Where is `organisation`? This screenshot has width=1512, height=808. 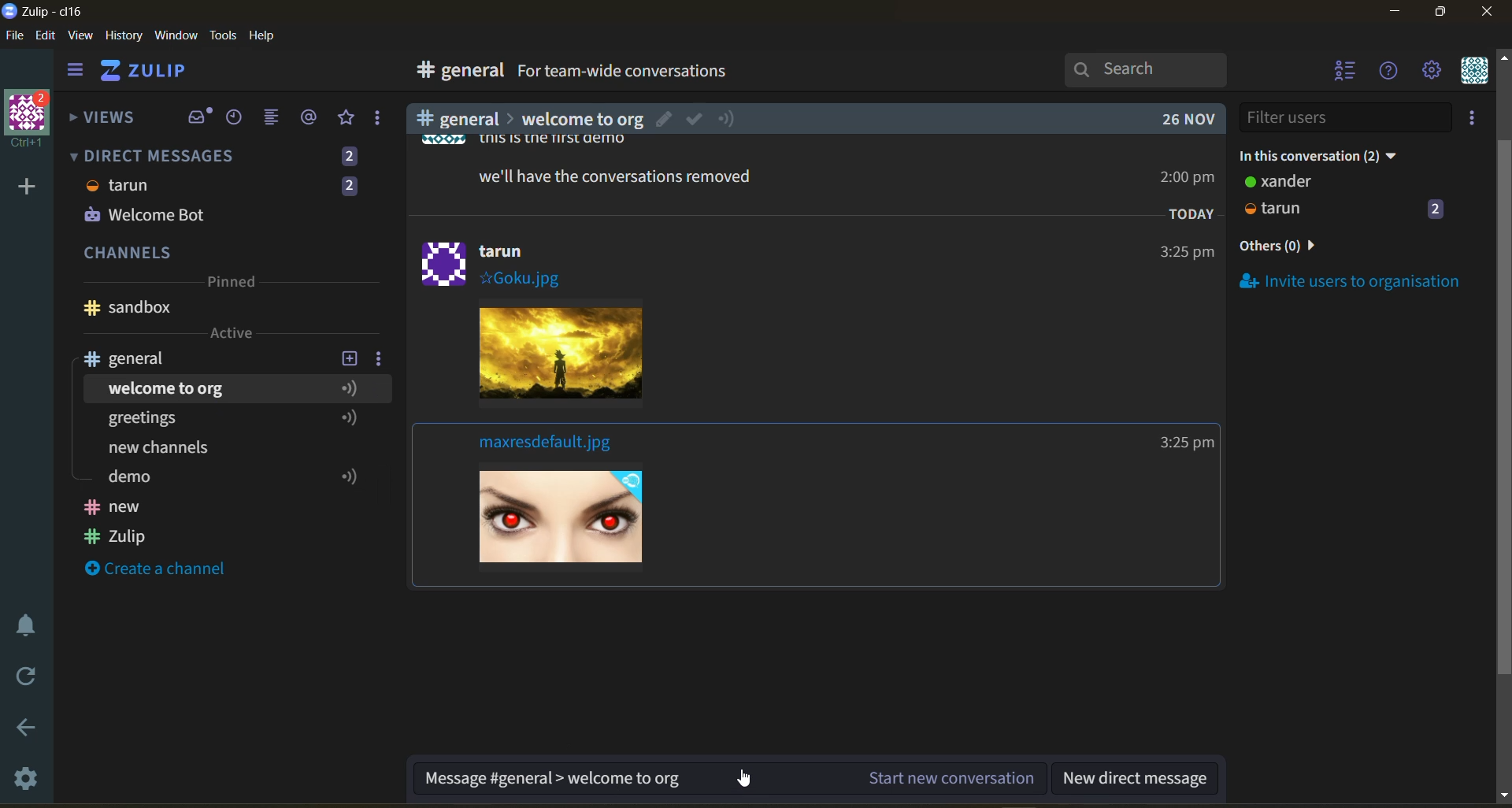
organisation is located at coordinates (31, 120).